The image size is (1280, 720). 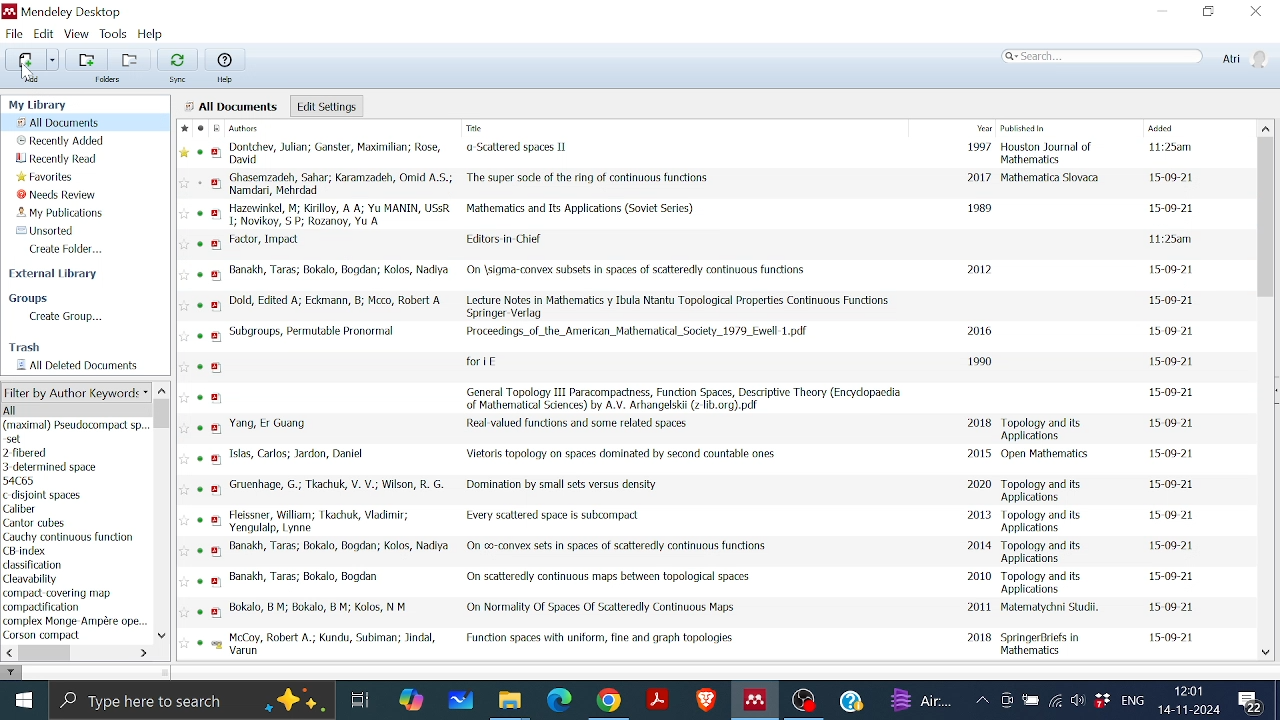 What do you see at coordinates (410, 700) in the screenshot?
I see `COpilot` at bounding box center [410, 700].